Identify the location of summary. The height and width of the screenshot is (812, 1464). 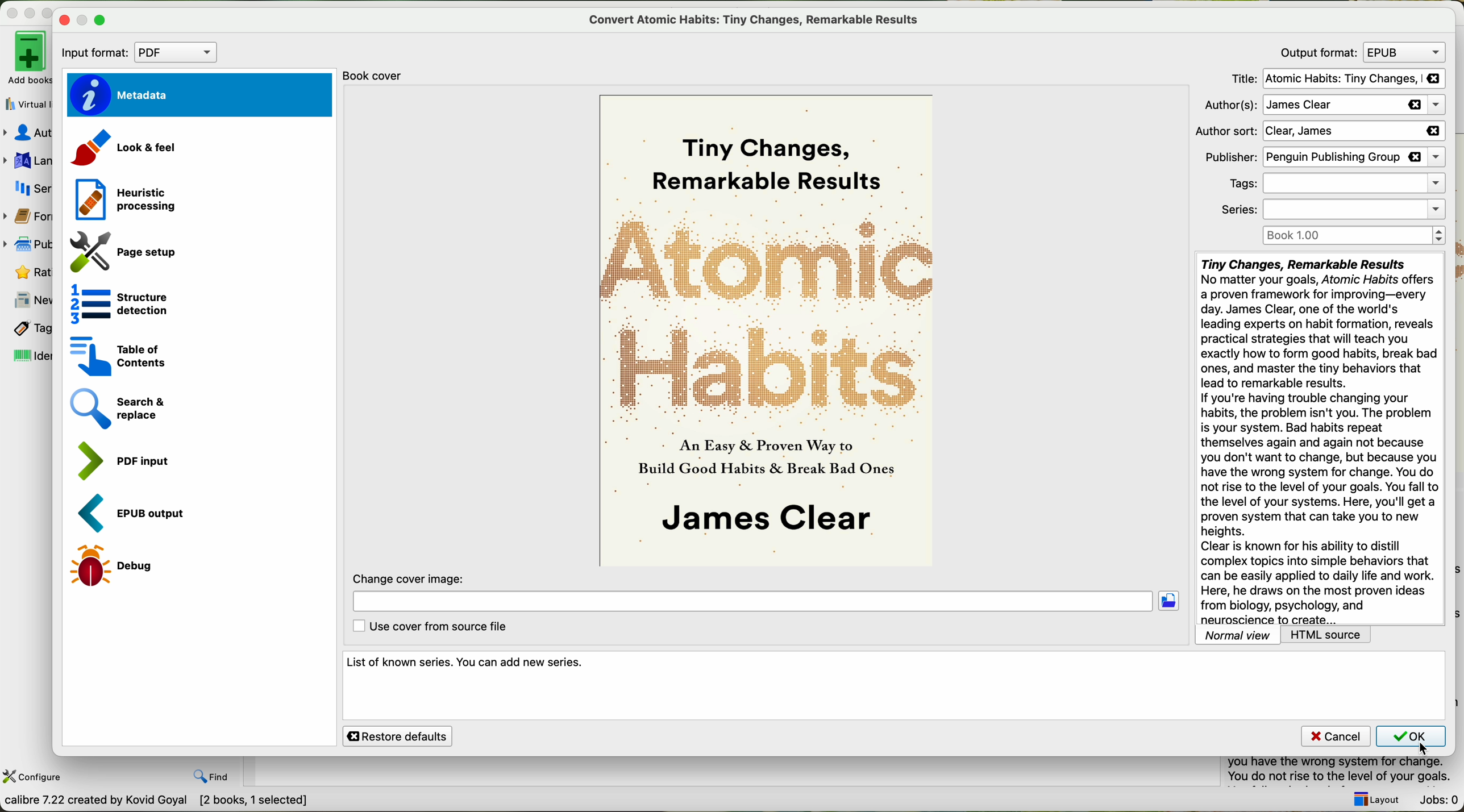
(1345, 772).